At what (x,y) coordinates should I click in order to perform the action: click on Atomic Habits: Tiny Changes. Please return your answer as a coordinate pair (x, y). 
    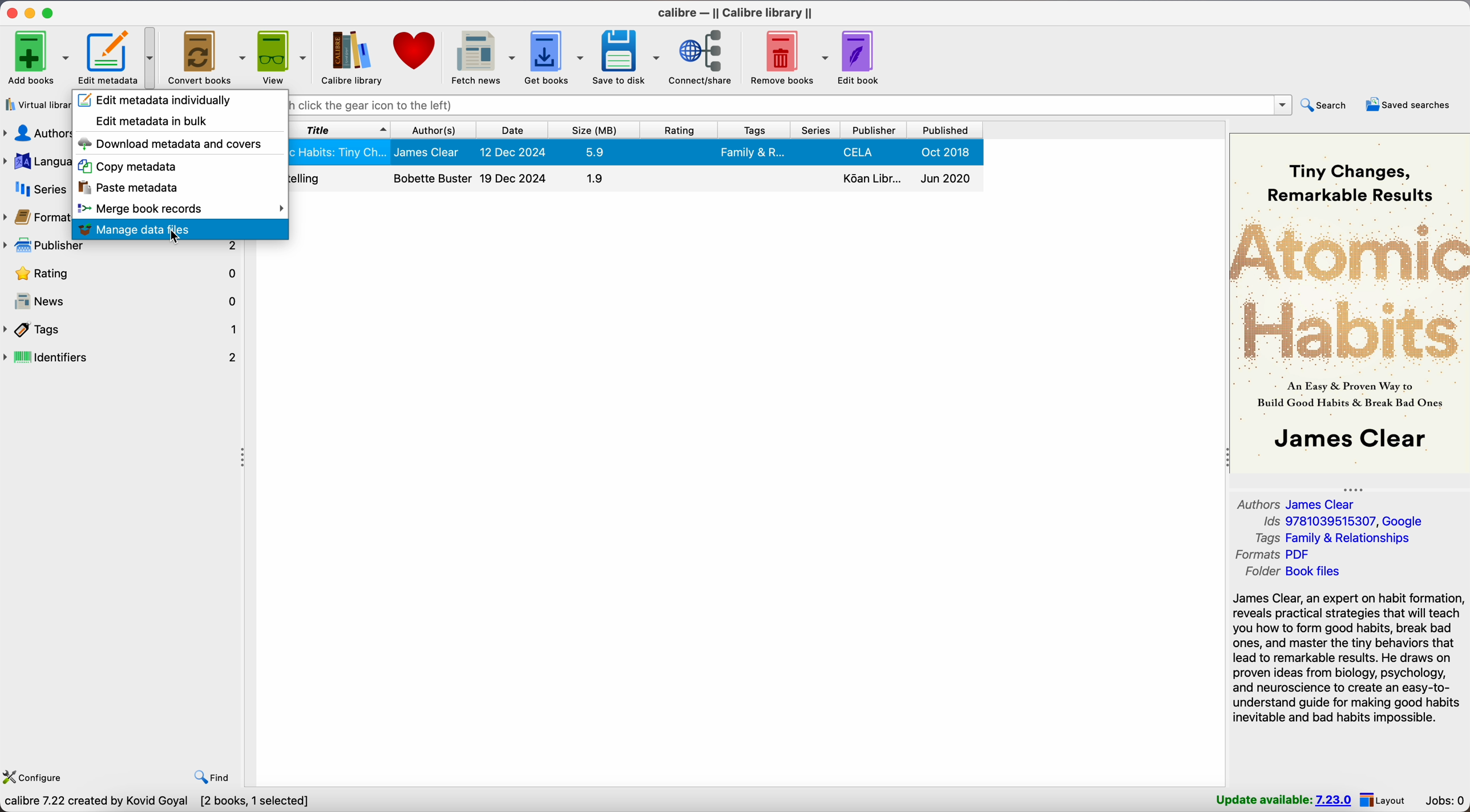
    Looking at the image, I should click on (637, 152).